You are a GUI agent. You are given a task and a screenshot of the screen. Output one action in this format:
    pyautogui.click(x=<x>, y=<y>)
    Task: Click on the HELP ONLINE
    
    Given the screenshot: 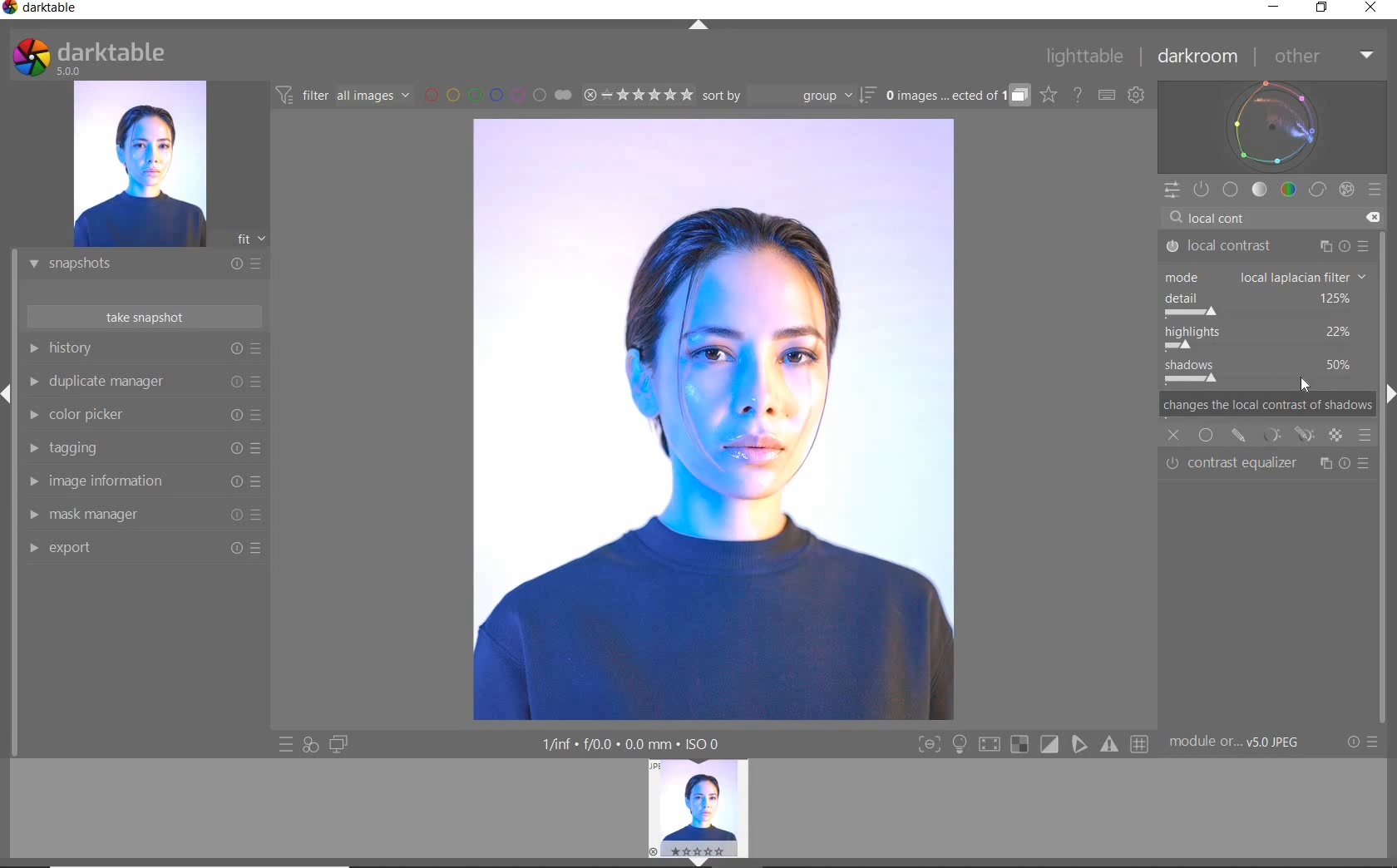 What is the action you would take?
    pyautogui.click(x=1078, y=94)
    